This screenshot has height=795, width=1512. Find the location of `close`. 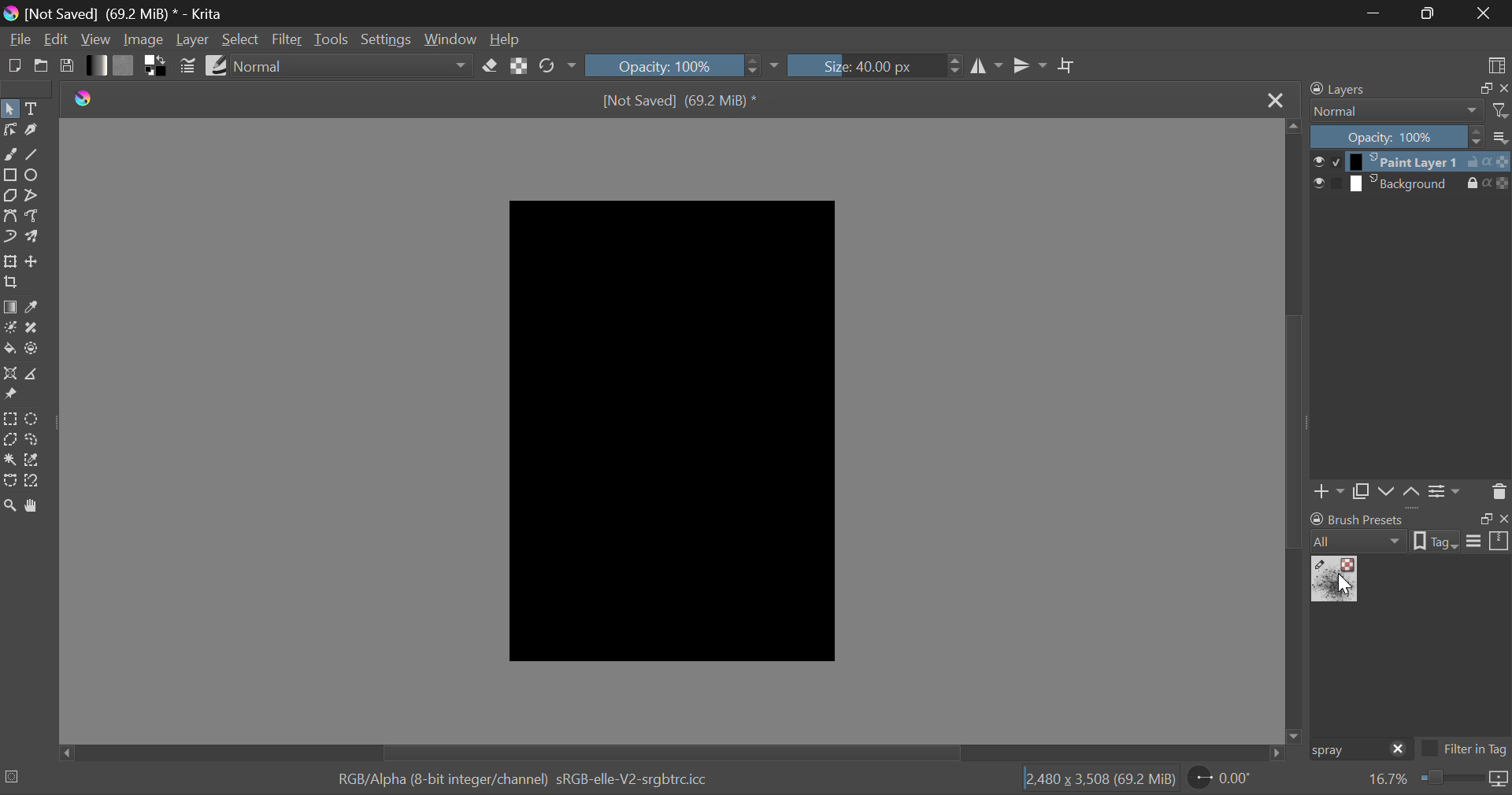

close is located at coordinates (1503, 89).